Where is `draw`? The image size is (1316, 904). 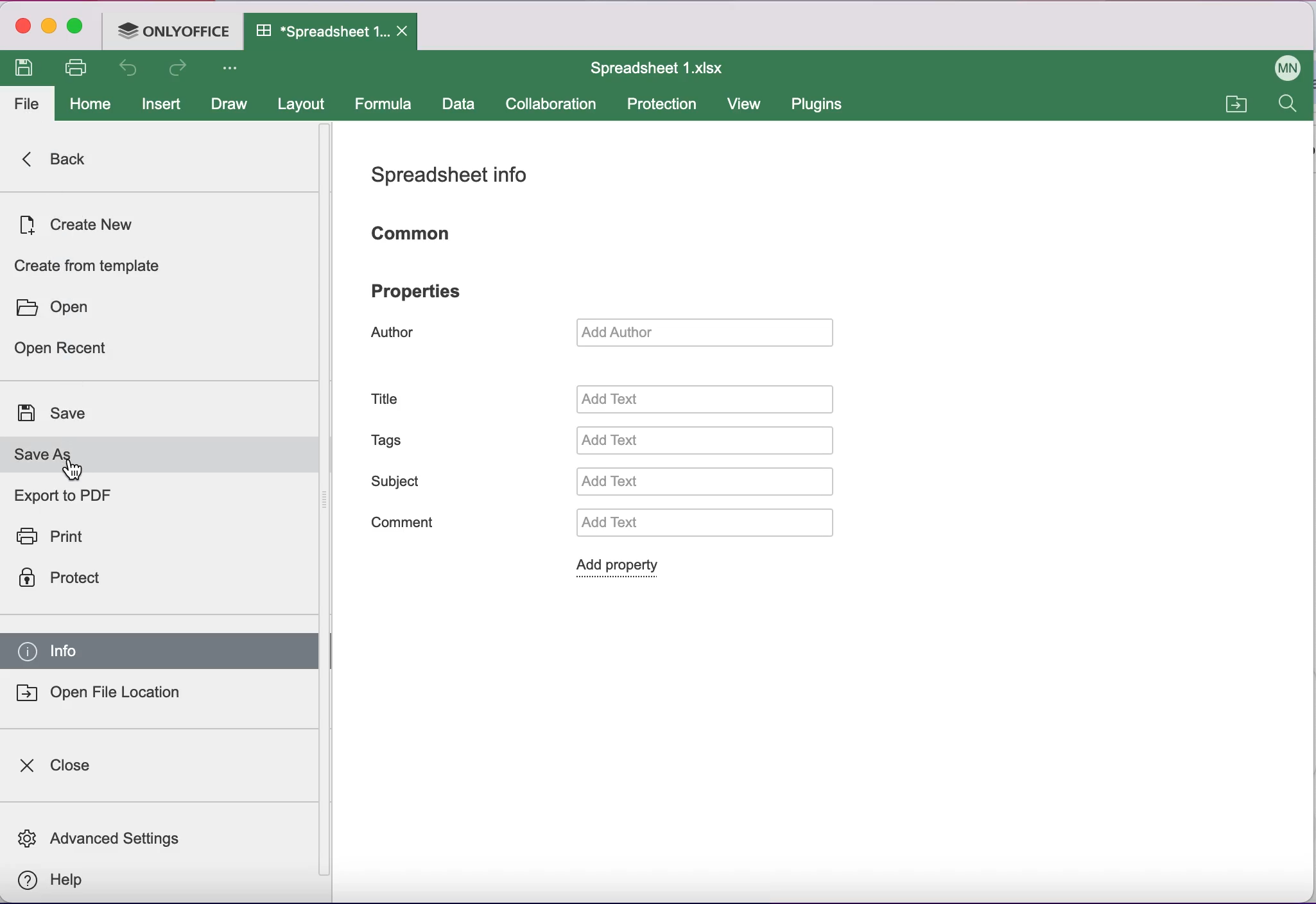 draw is located at coordinates (228, 103).